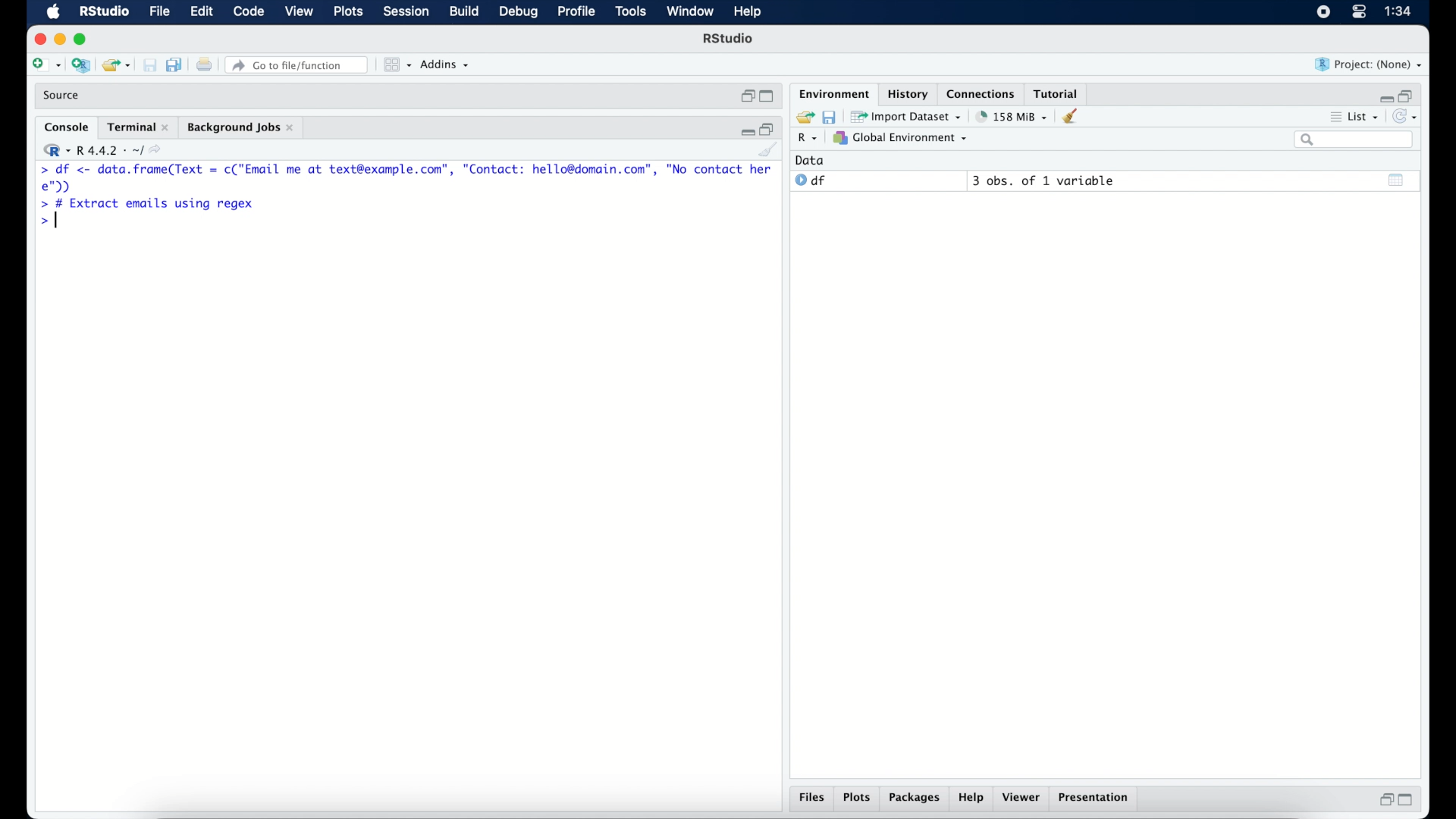 The image size is (1456, 819). What do you see at coordinates (146, 204) in the screenshot?
I see `> # Extract emails using regex|` at bounding box center [146, 204].